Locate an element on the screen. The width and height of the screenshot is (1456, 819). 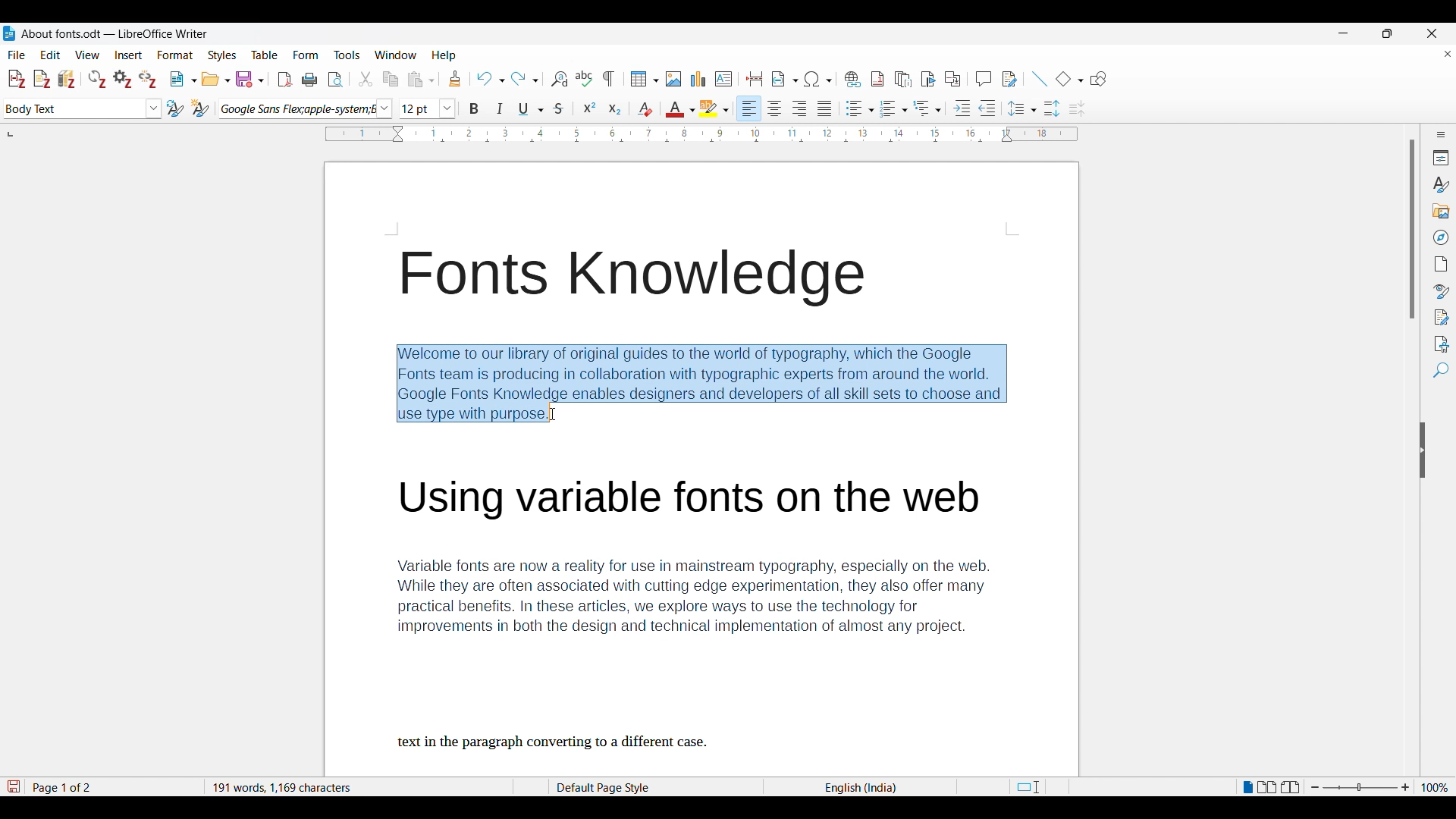
Close document is located at coordinates (1448, 54).